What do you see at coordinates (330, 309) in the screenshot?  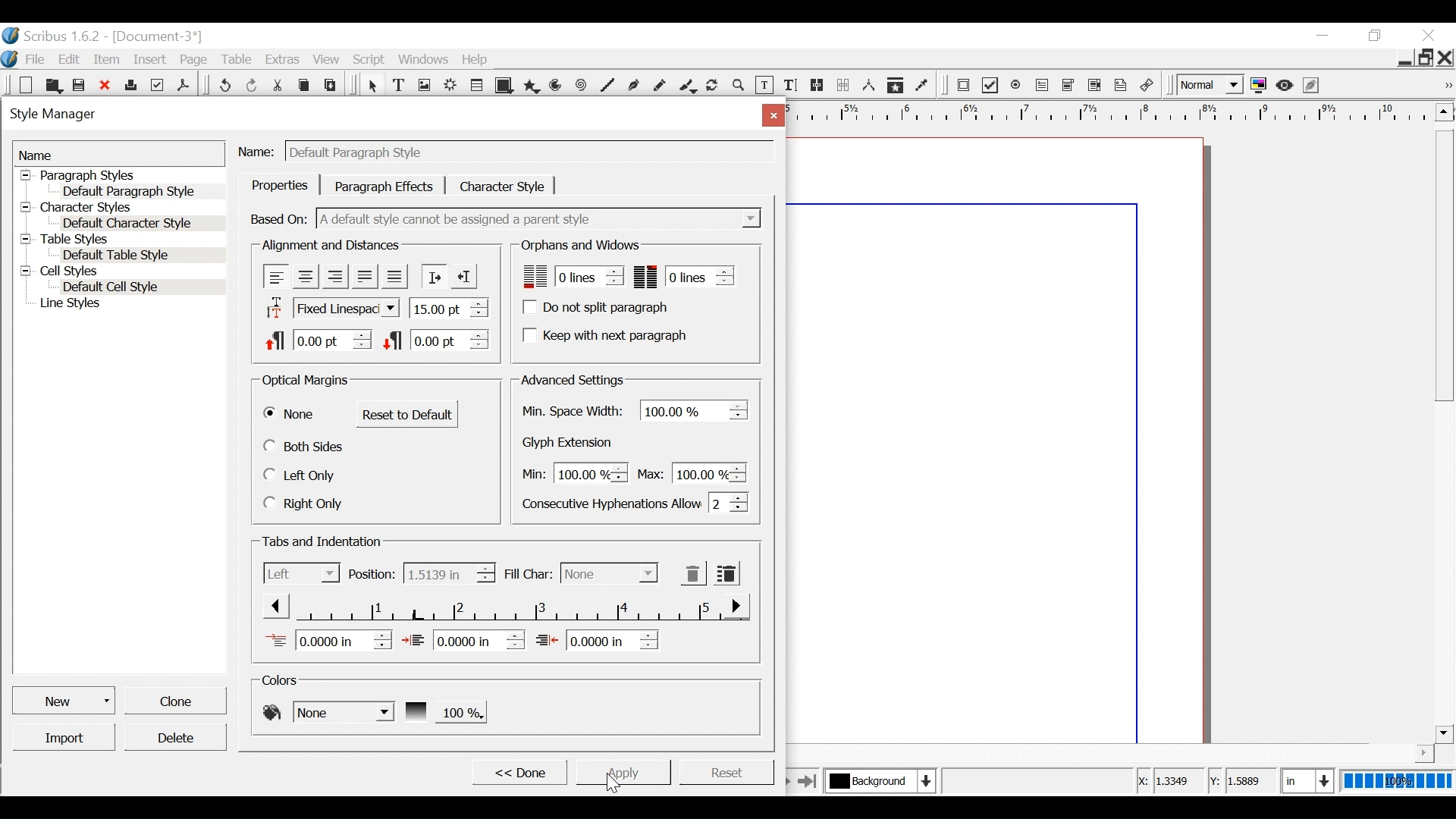 I see `line Spacing mode` at bounding box center [330, 309].